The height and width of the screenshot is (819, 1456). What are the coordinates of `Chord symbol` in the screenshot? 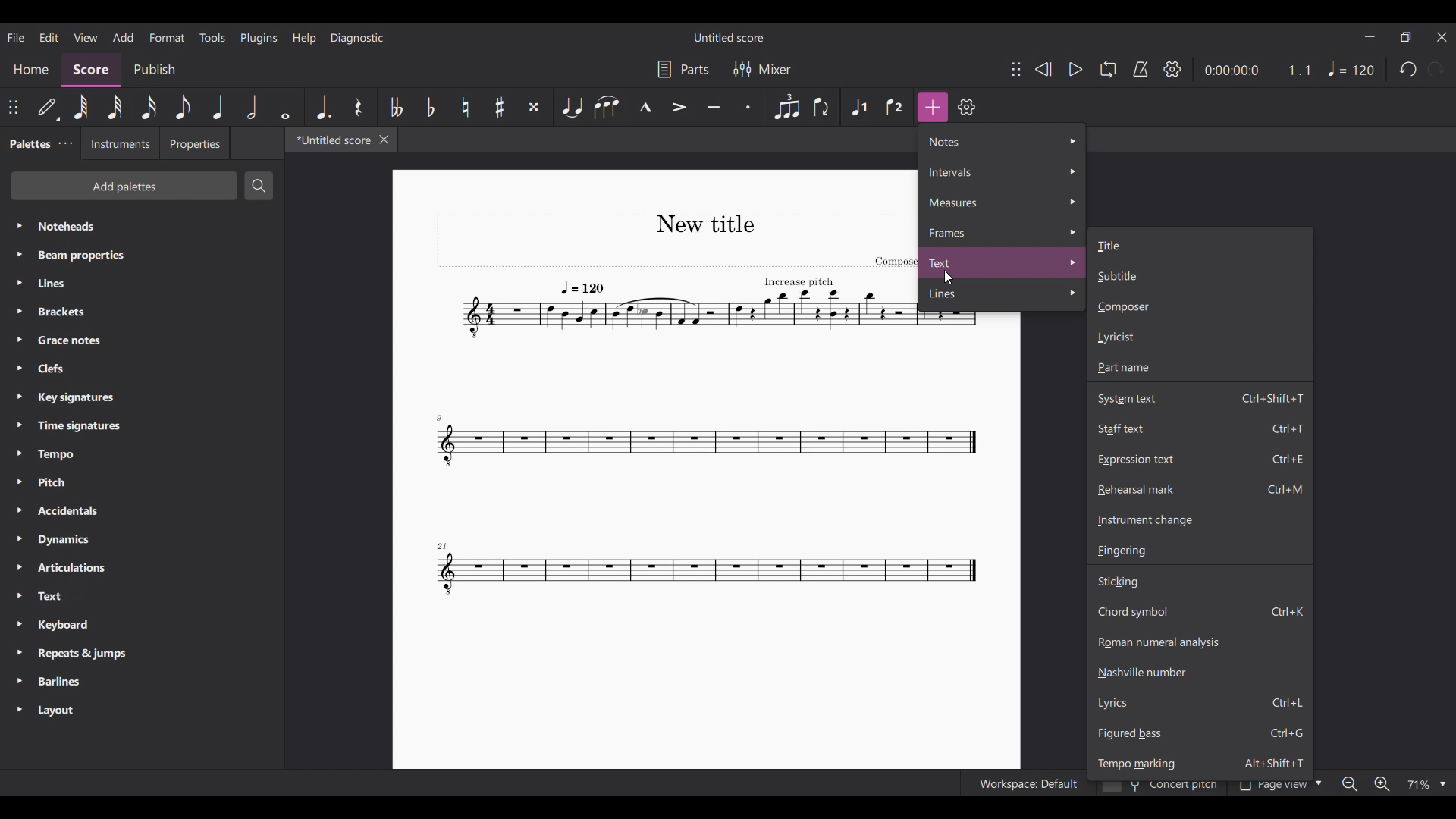 It's located at (1200, 612).